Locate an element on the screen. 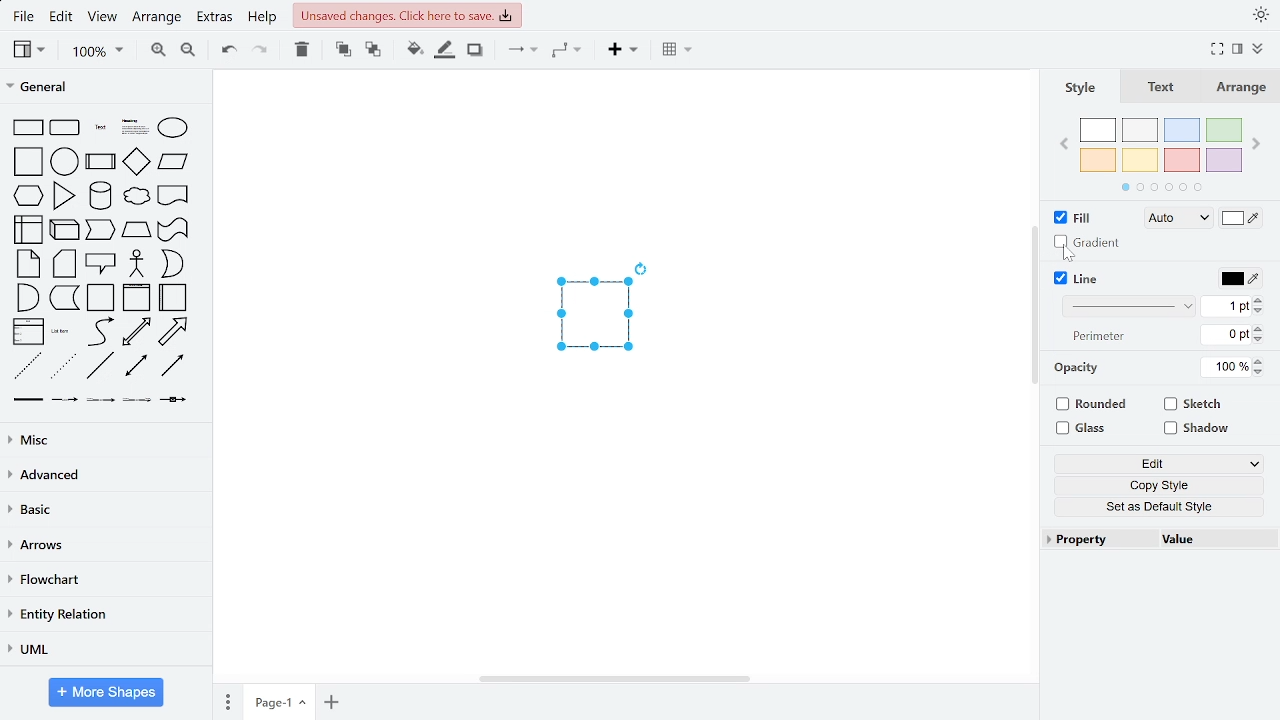  colors is located at coordinates (1158, 151).